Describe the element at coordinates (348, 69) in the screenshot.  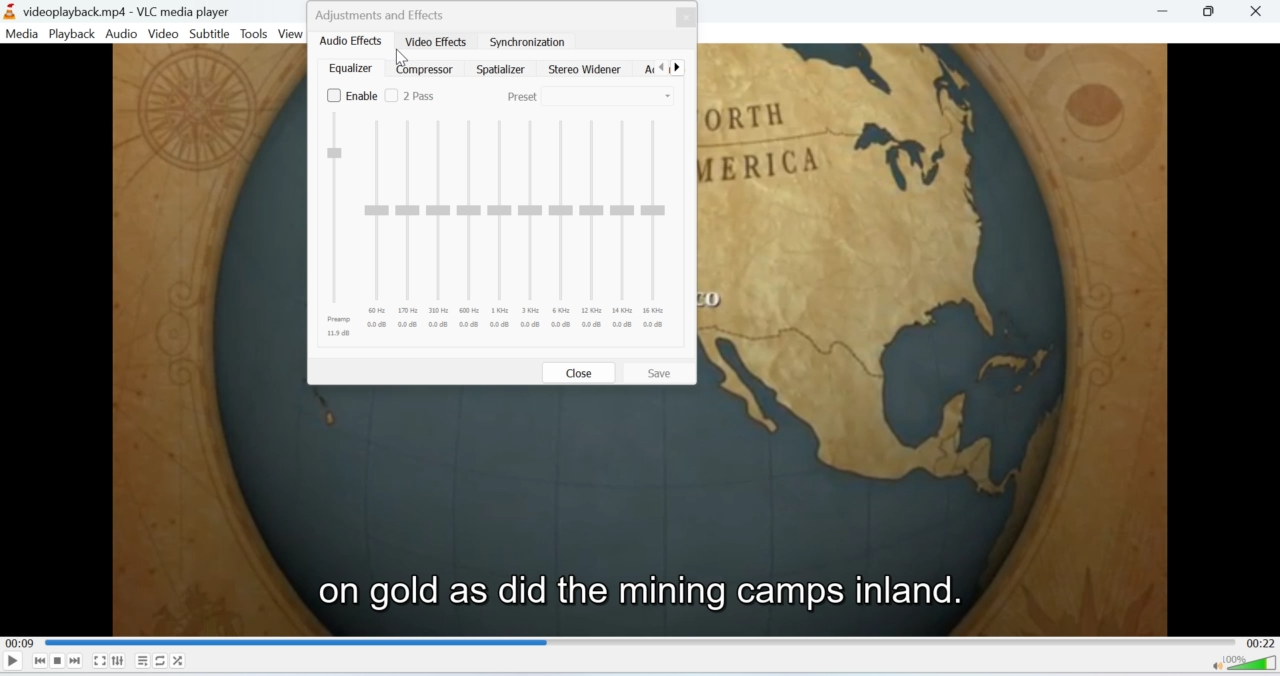
I see `Equalizer` at that location.